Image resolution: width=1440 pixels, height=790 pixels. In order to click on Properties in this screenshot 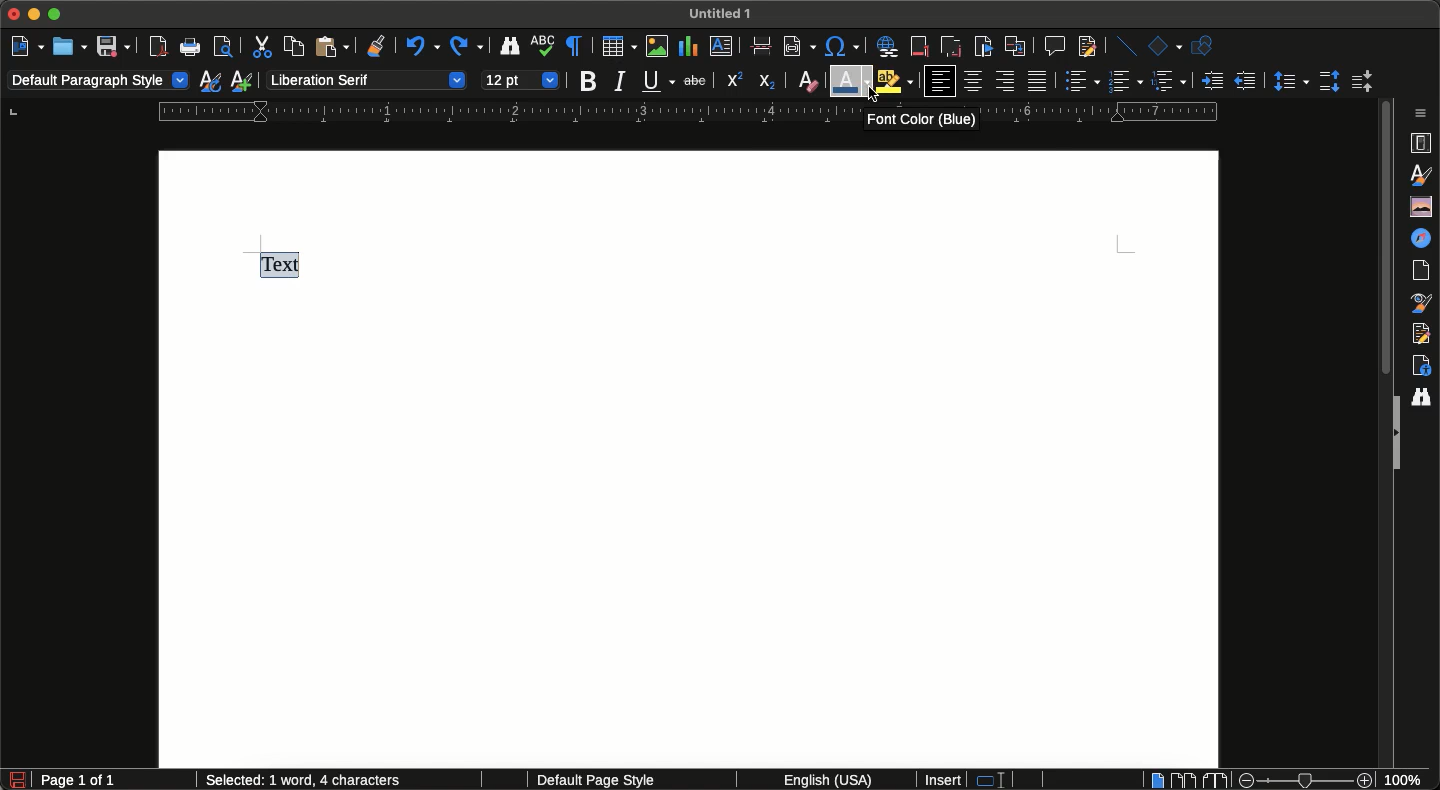, I will do `click(1423, 143)`.